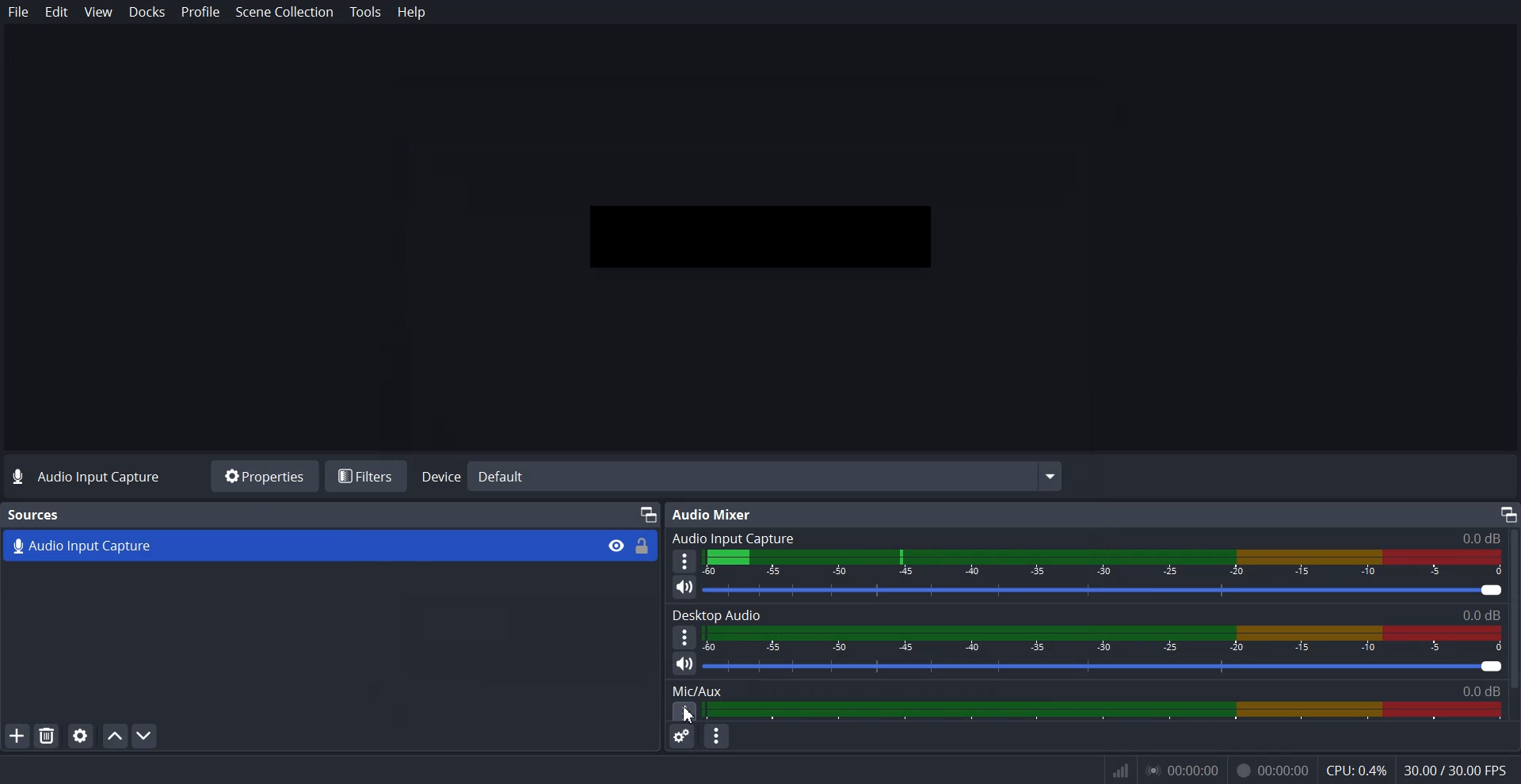  What do you see at coordinates (200, 12) in the screenshot?
I see `Profile` at bounding box center [200, 12].